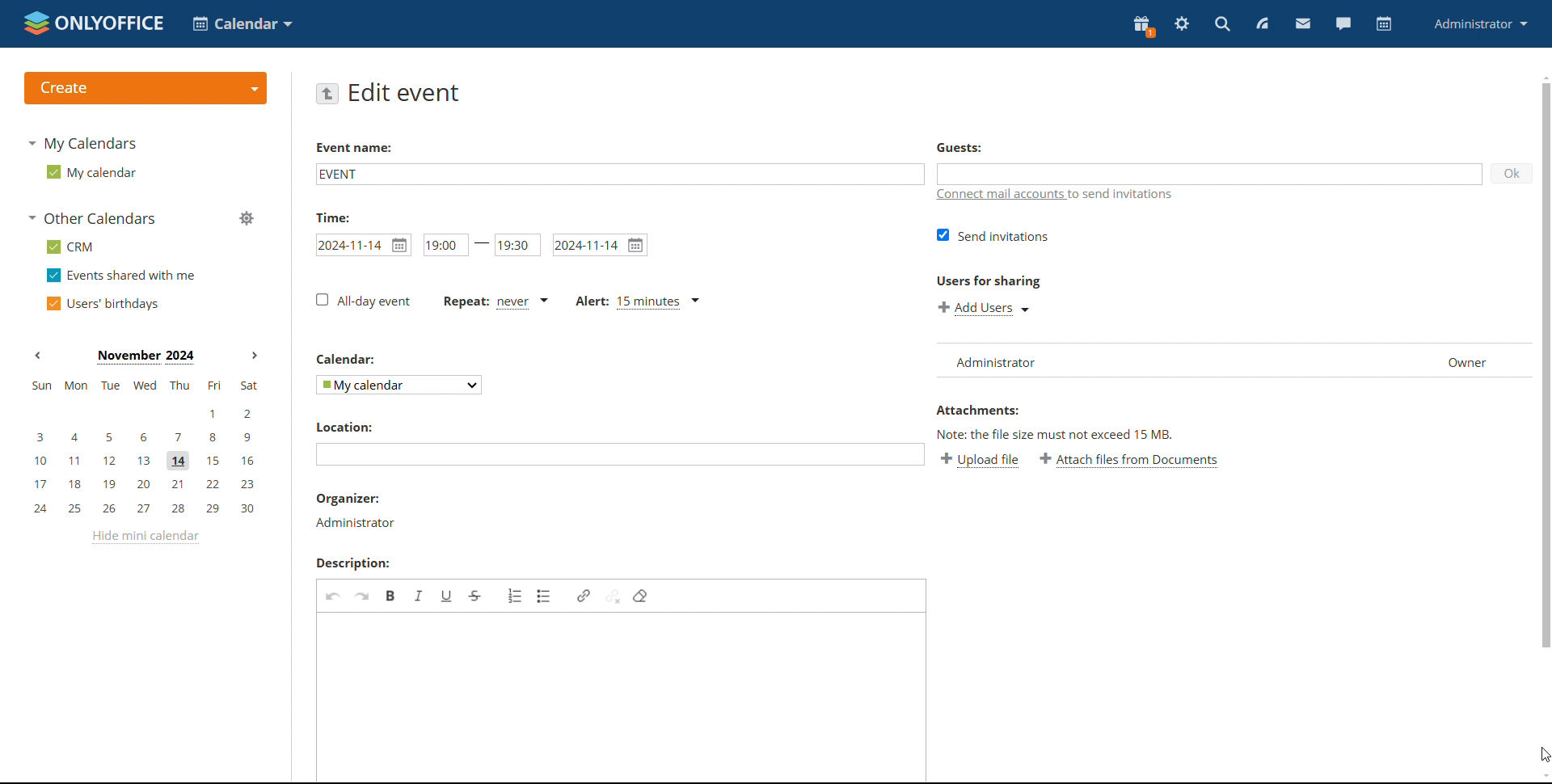 This screenshot has width=1552, height=784. Describe the element at coordinates (612, 596) in the screenshot. I see `unlink` at that location.